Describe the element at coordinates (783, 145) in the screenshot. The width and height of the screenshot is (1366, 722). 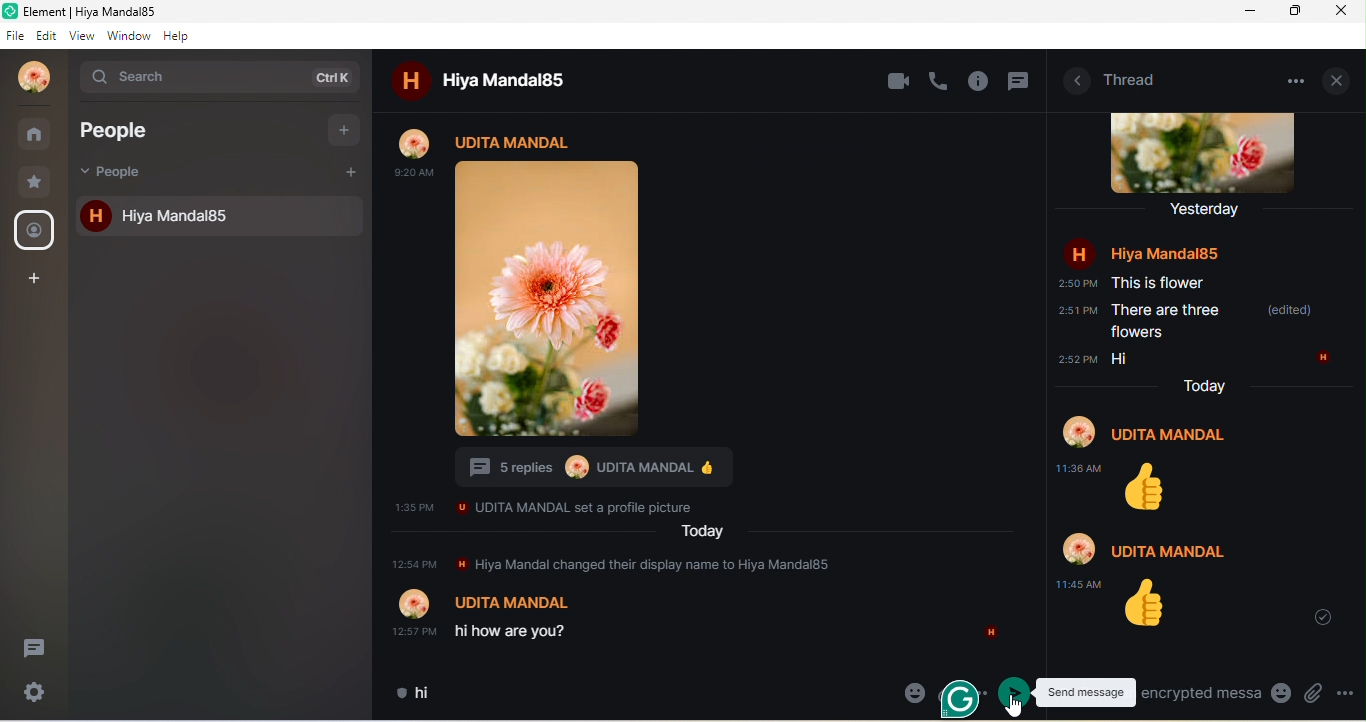
I see `react` at that location.